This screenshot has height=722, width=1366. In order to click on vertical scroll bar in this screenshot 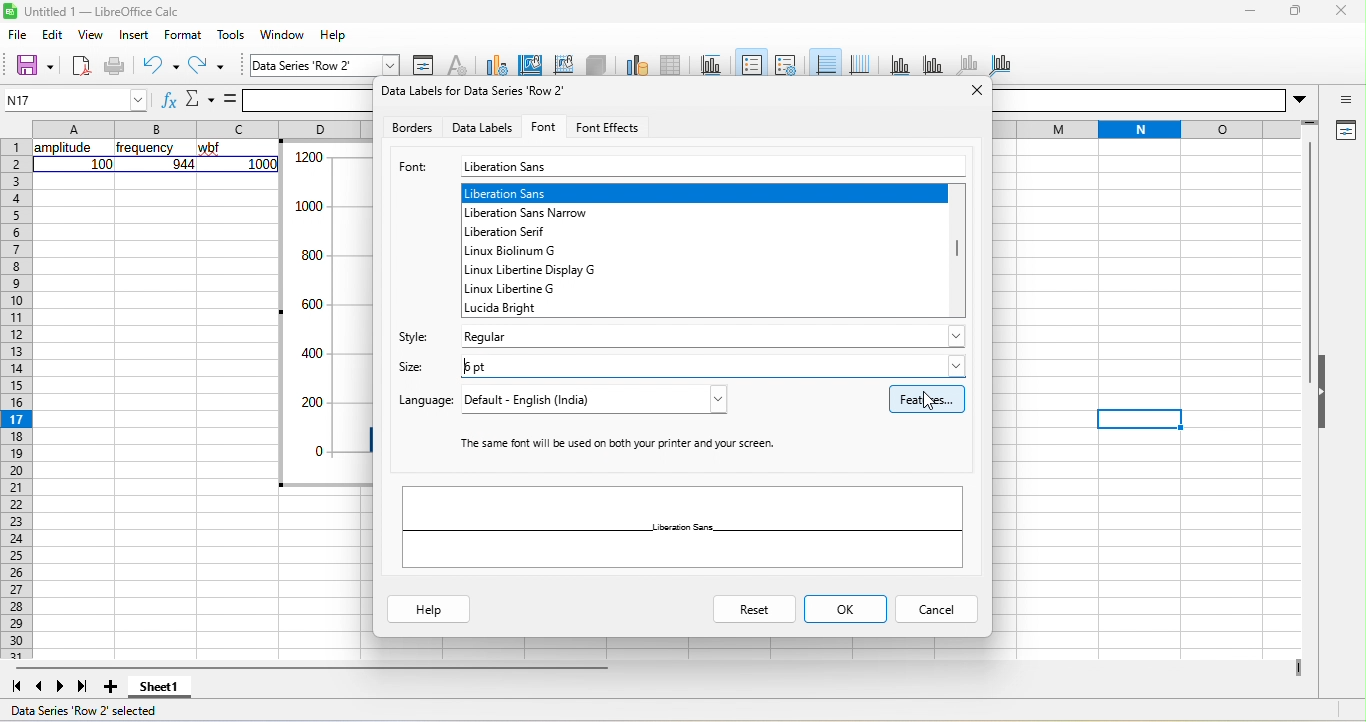, I will do `click(1310, 262)`.